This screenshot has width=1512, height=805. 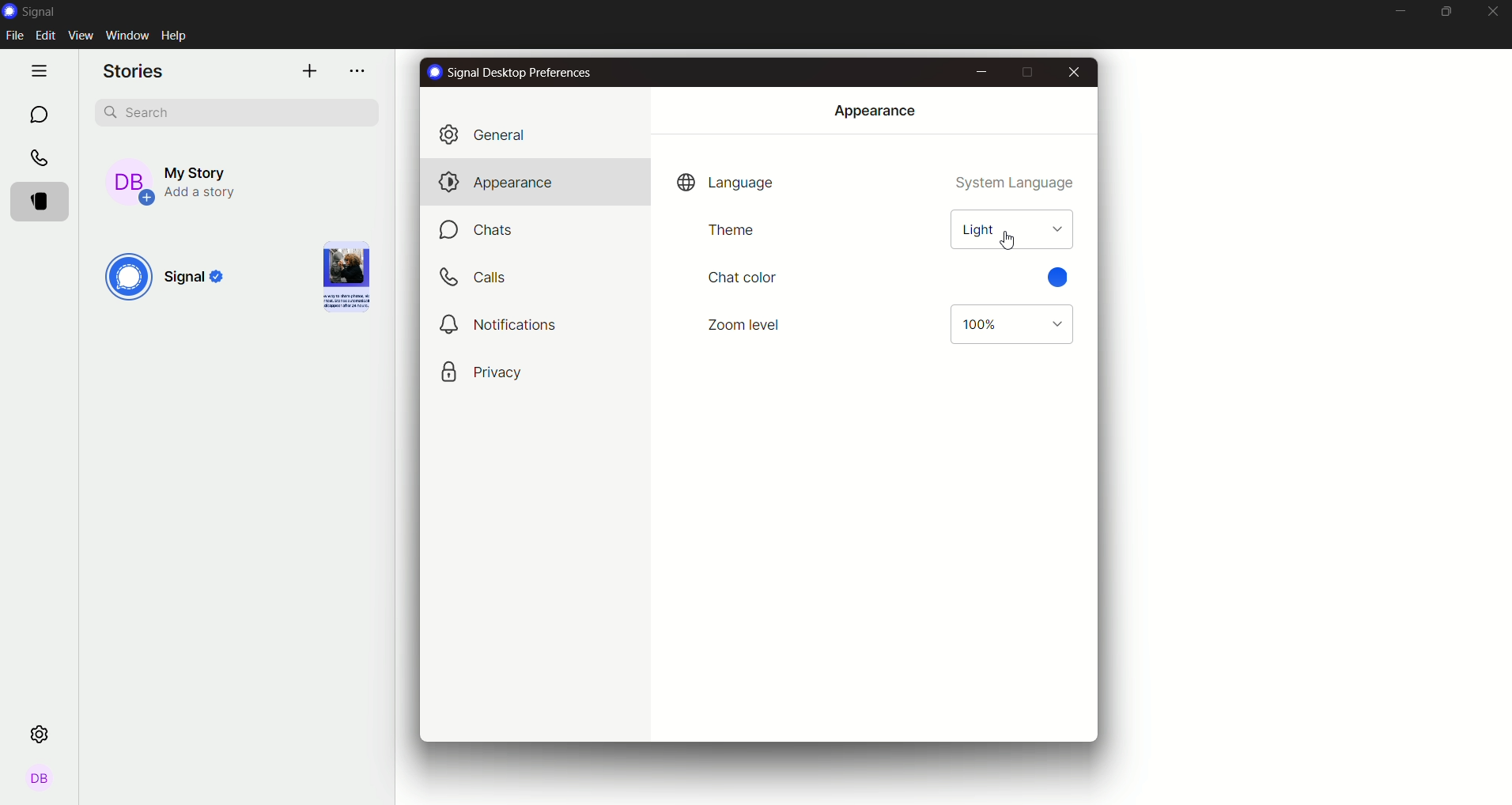 What do you see at coordinates (17, 36) in the screenshot?
I see `file` at bounding box center [17, 36].